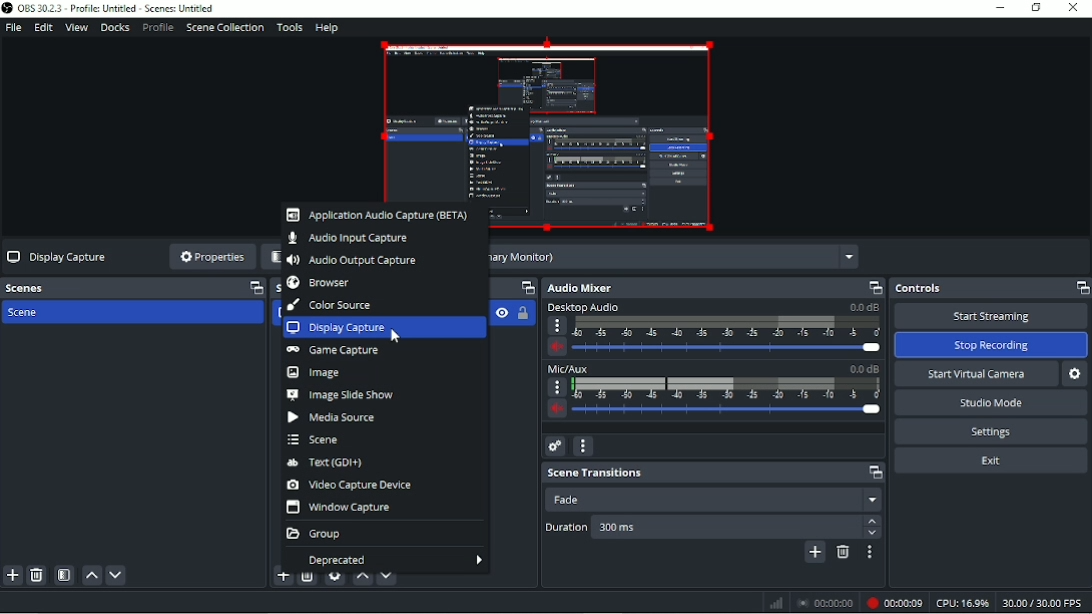 The height and width of the screenshot is (614, 1092). What do you see at coordinates (814, 553) in the screenshot?
I see `Add configurable transition` at bounding box center [814, 553].